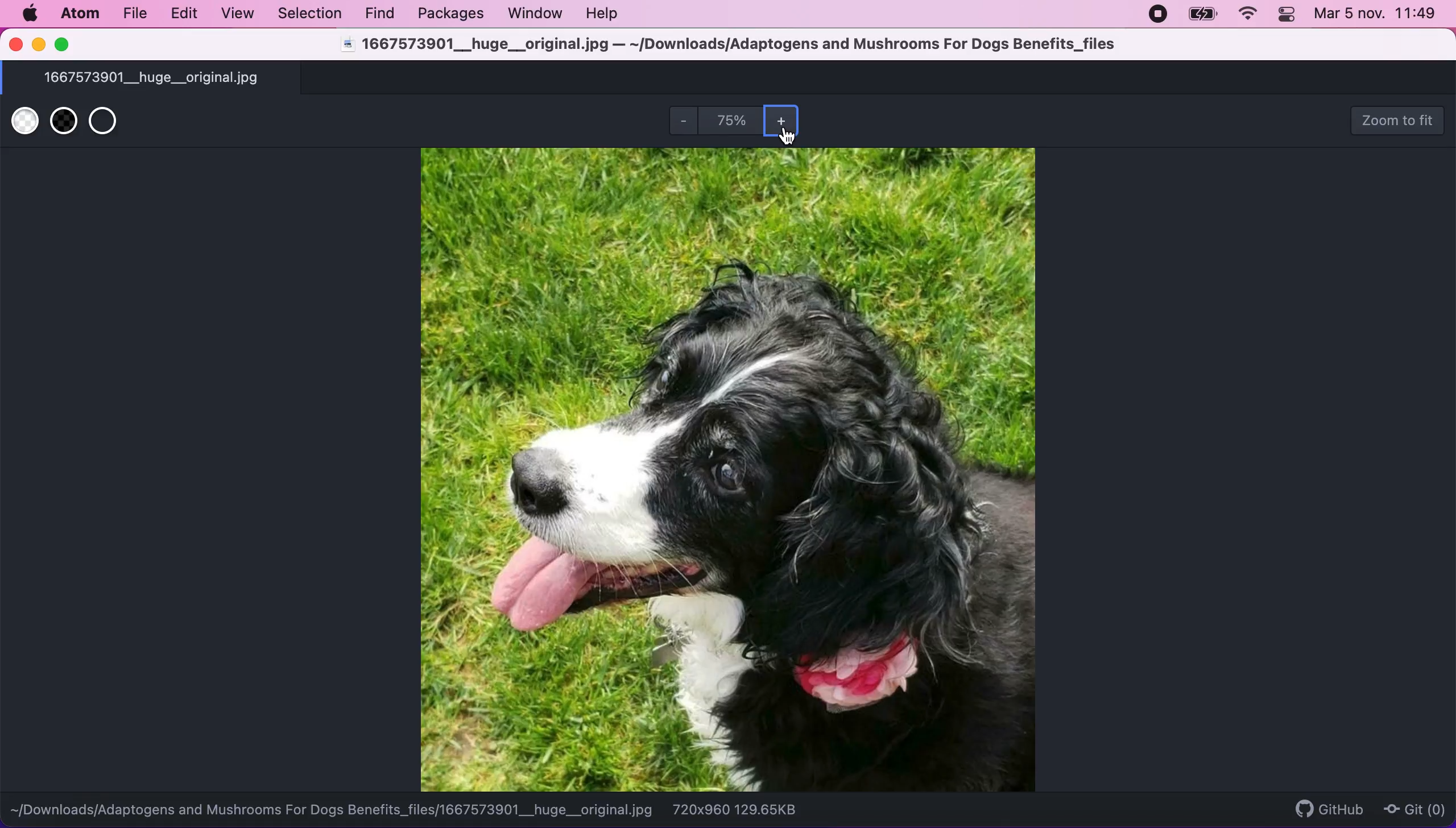 The width and height of the screenshot is (1456, 828). I want to click on find, so click(383, 14).